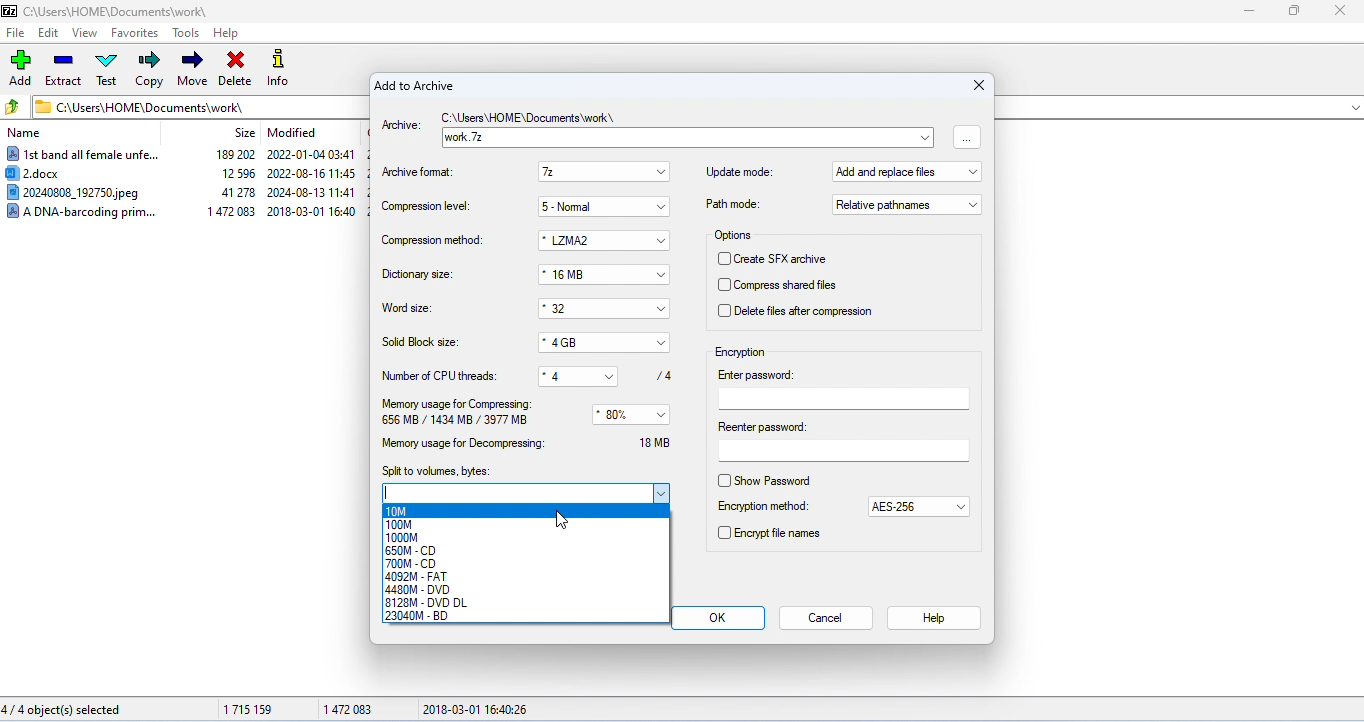 Image resolution: width=1364 pixels, height=722 pixels. I want to click on tools, so click(188, 32).